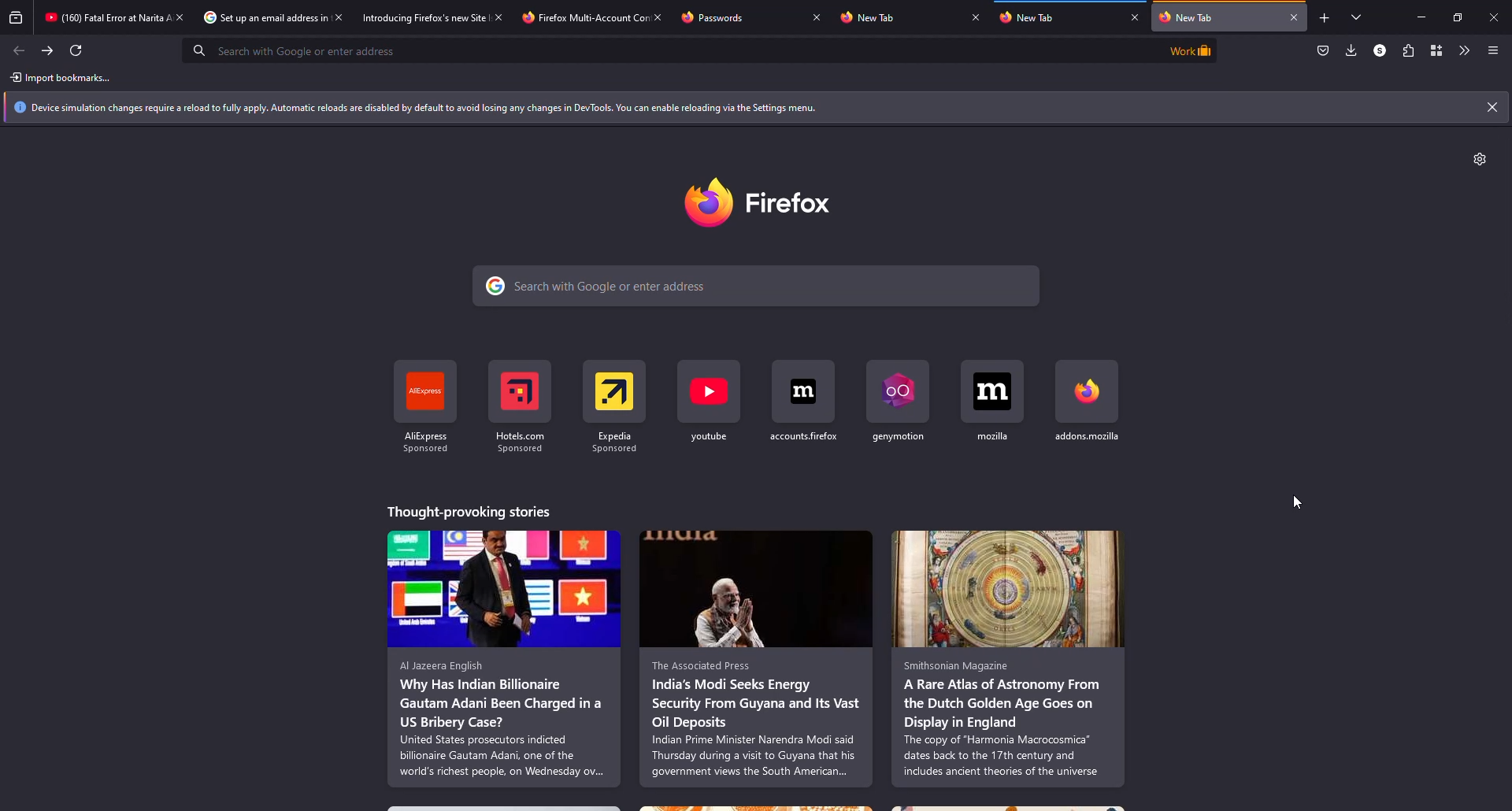 The height and width of the screenshot is (811, 1512). What do you see at coordinates (1298, 502) in the screenshot?
I see `Cursor` at bounding box center [1298, 502].